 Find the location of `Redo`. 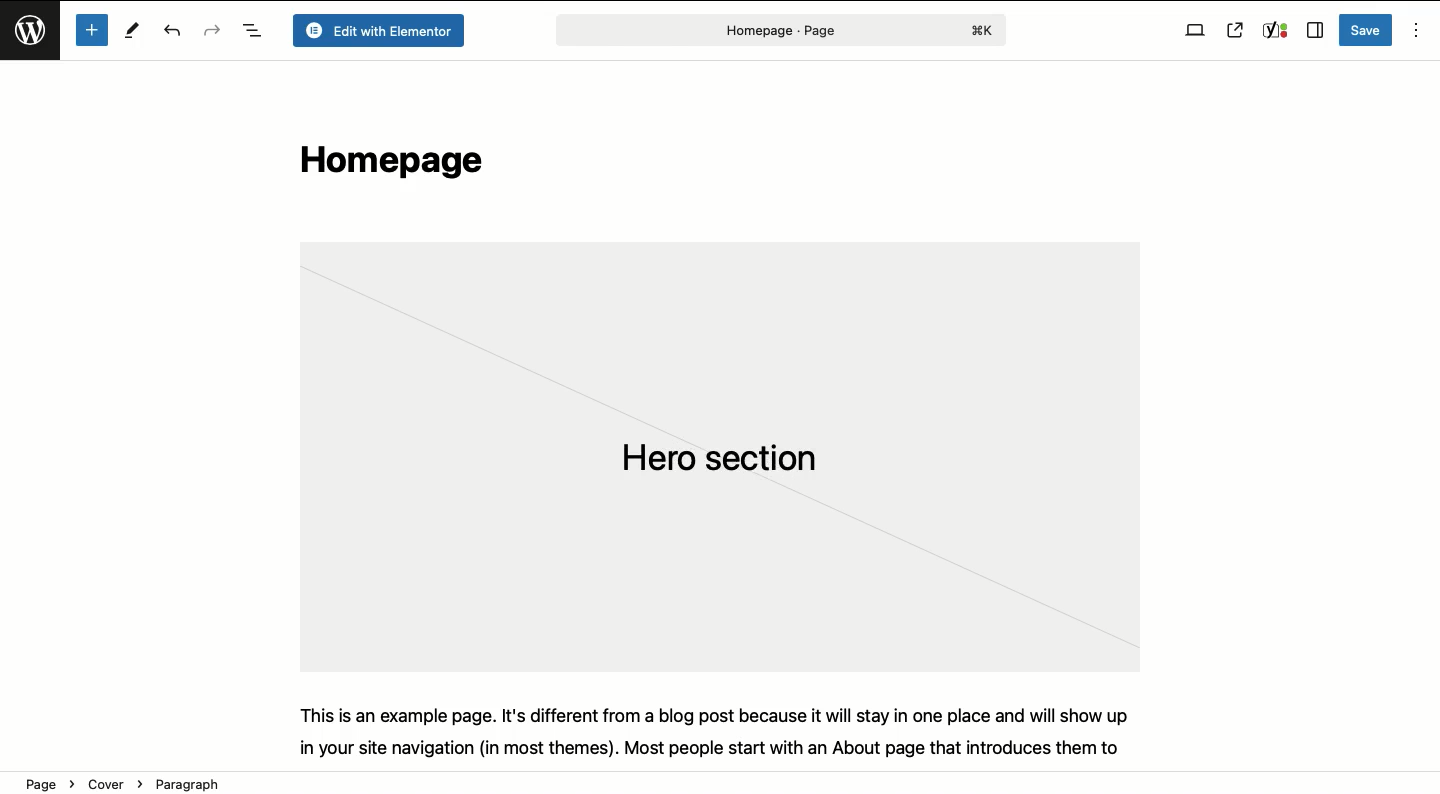

Redo is located at coordinates (212, 29).